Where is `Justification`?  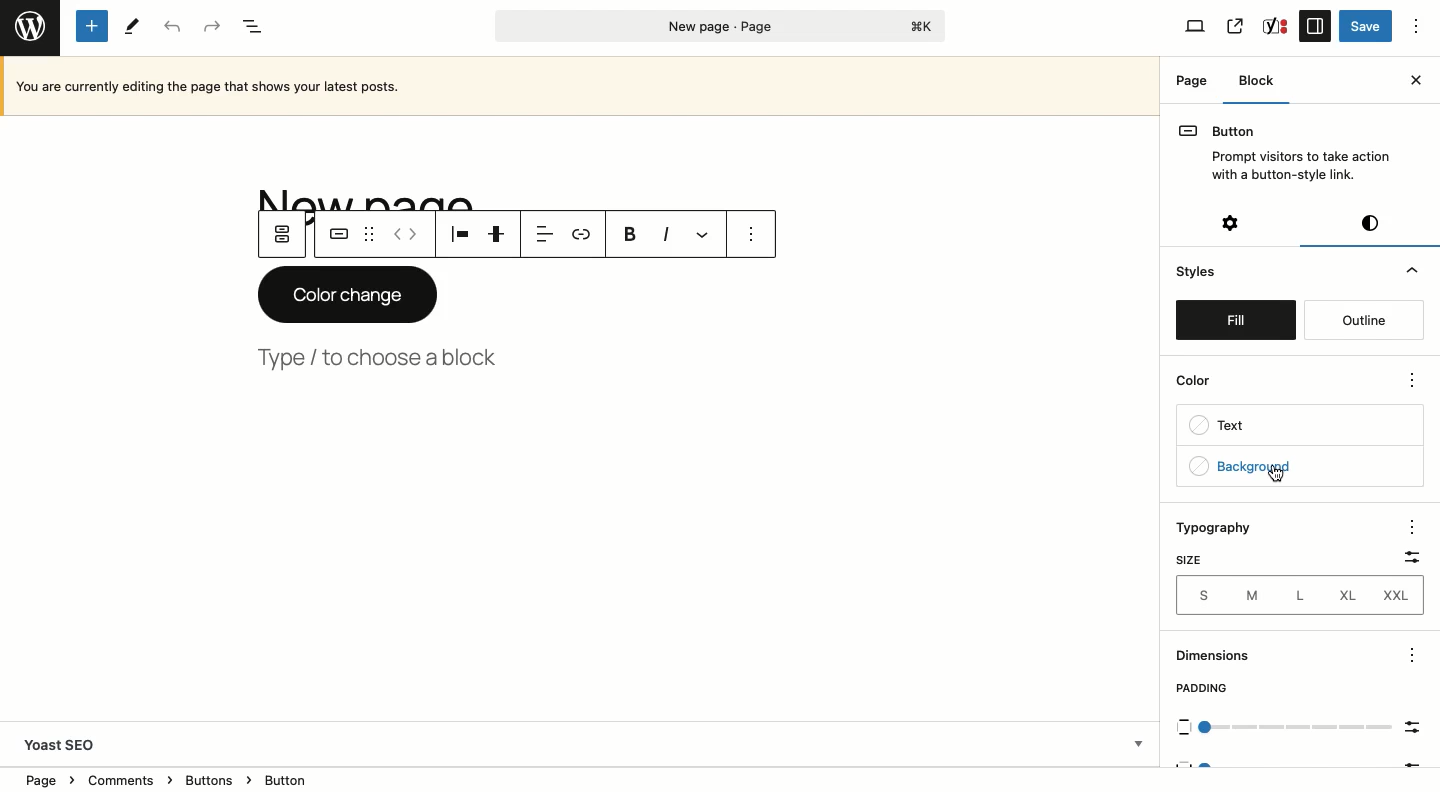 Justification is located at coordinates (497, 233).